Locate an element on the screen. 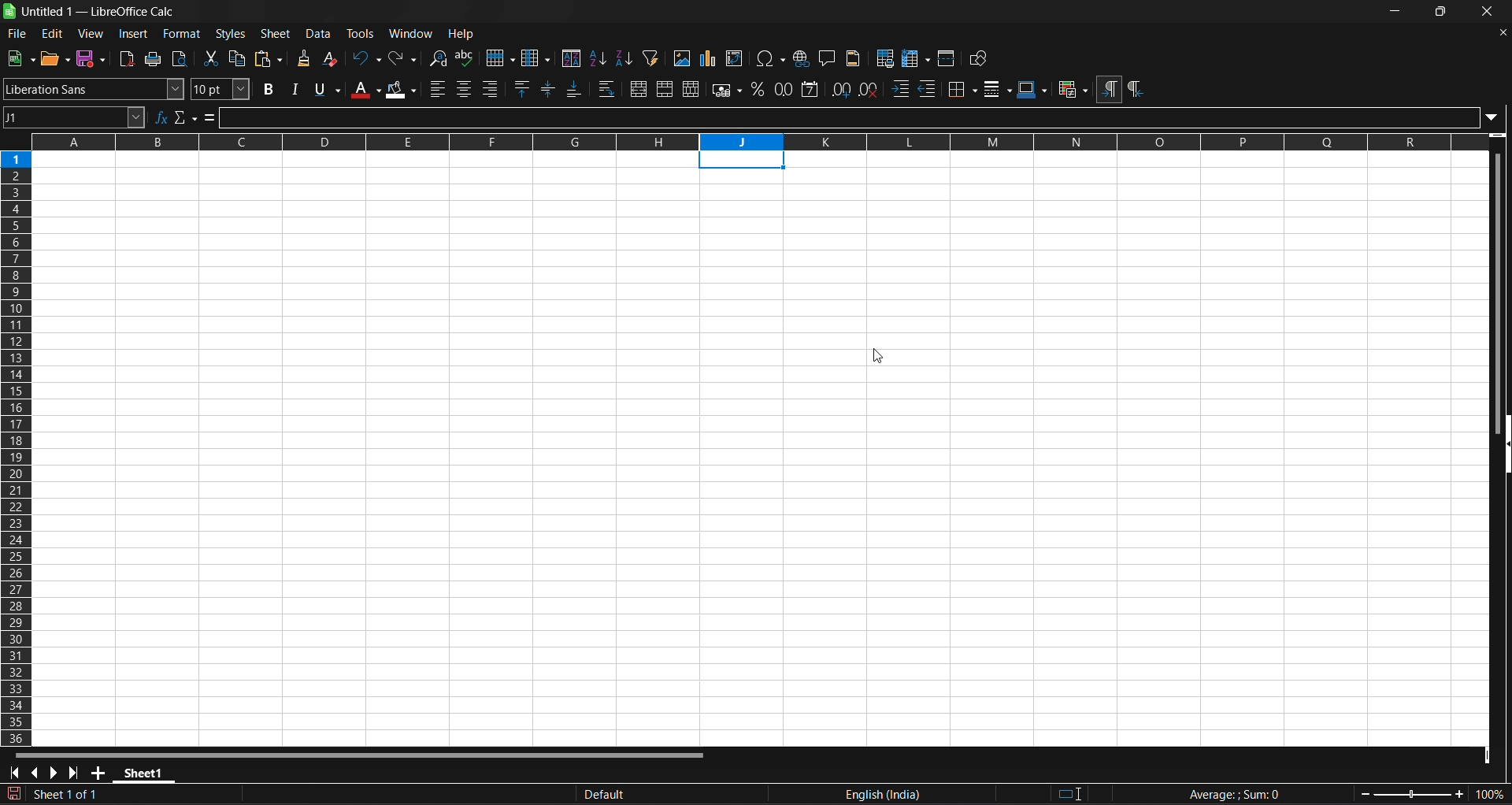 Image resolution: width=1512 pixels, height=805 pixels. close document is located at coordinates (1503, 32).